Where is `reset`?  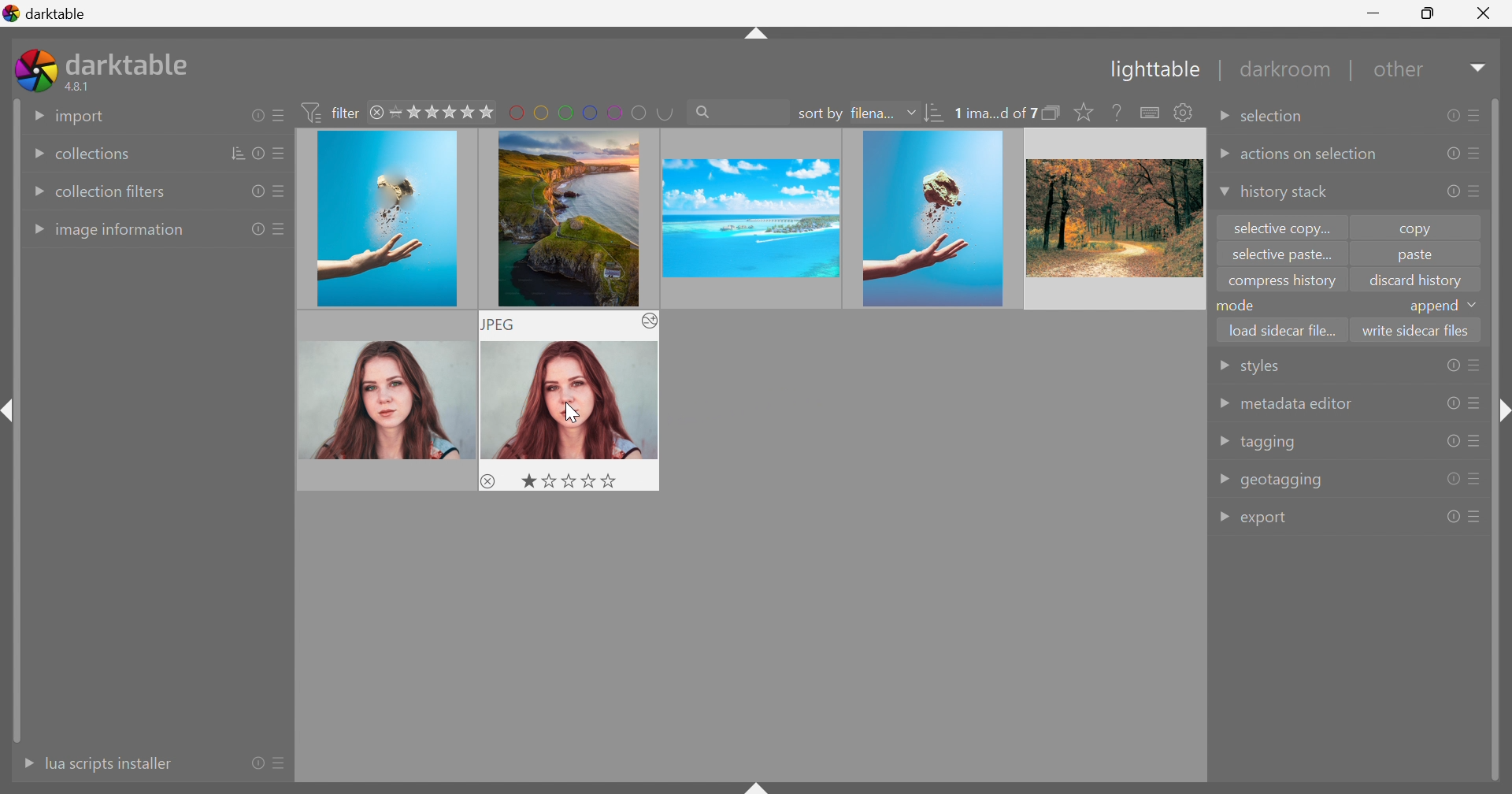
reset is located at coordinates (1452, 440).